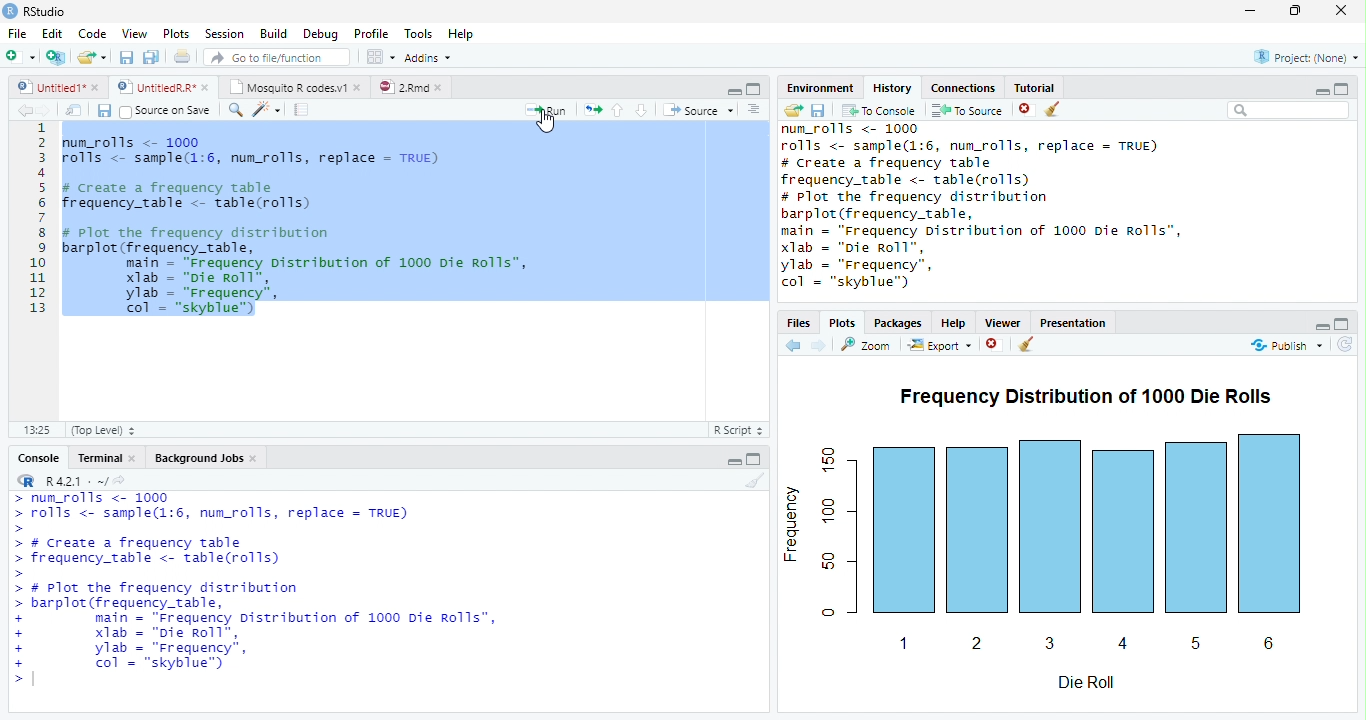 This screenshot has width=1366, height=720. Describe the element at coordinates (829, 511) in the screenshot. I see `100` at that location.